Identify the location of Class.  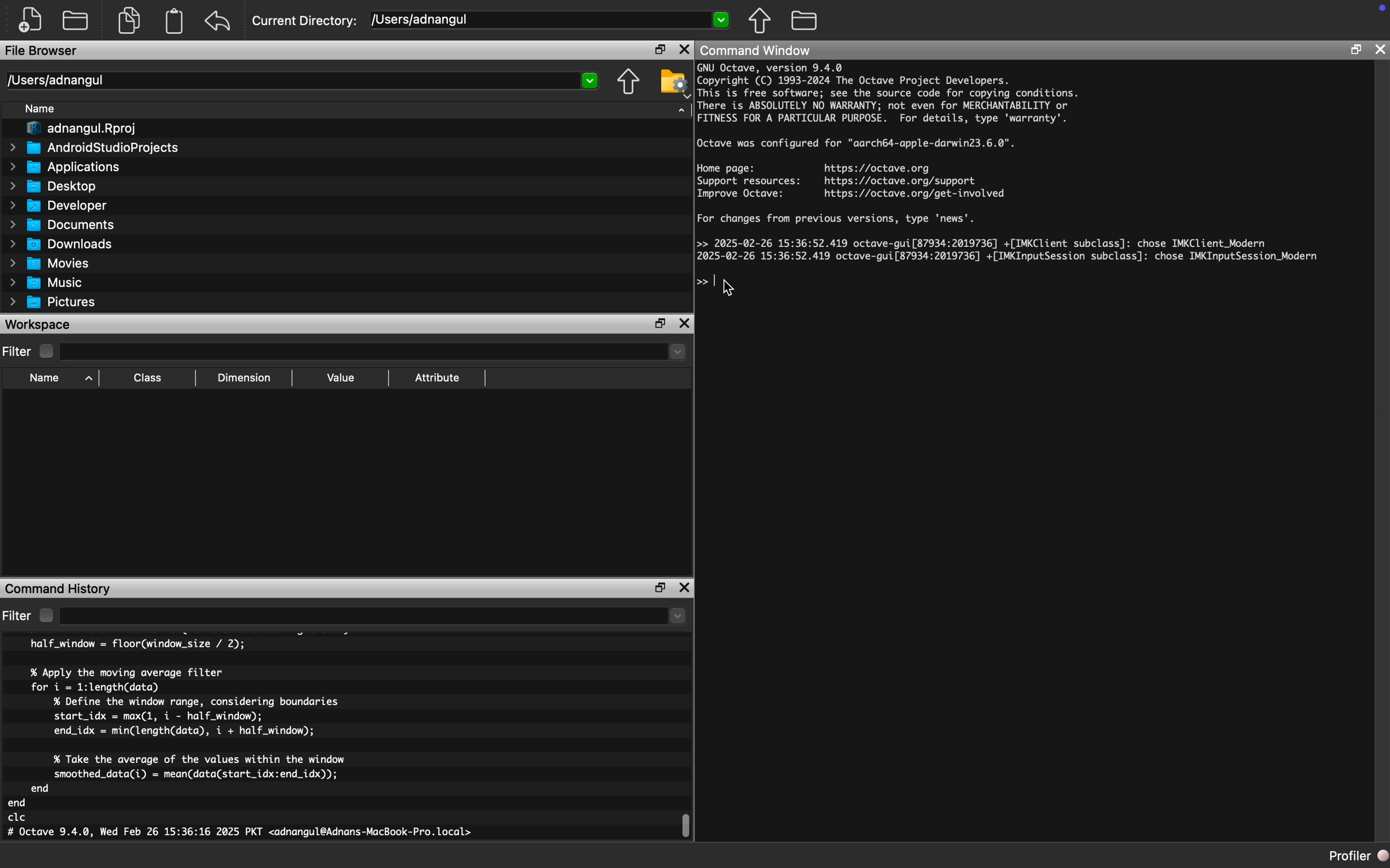
(148, 378).